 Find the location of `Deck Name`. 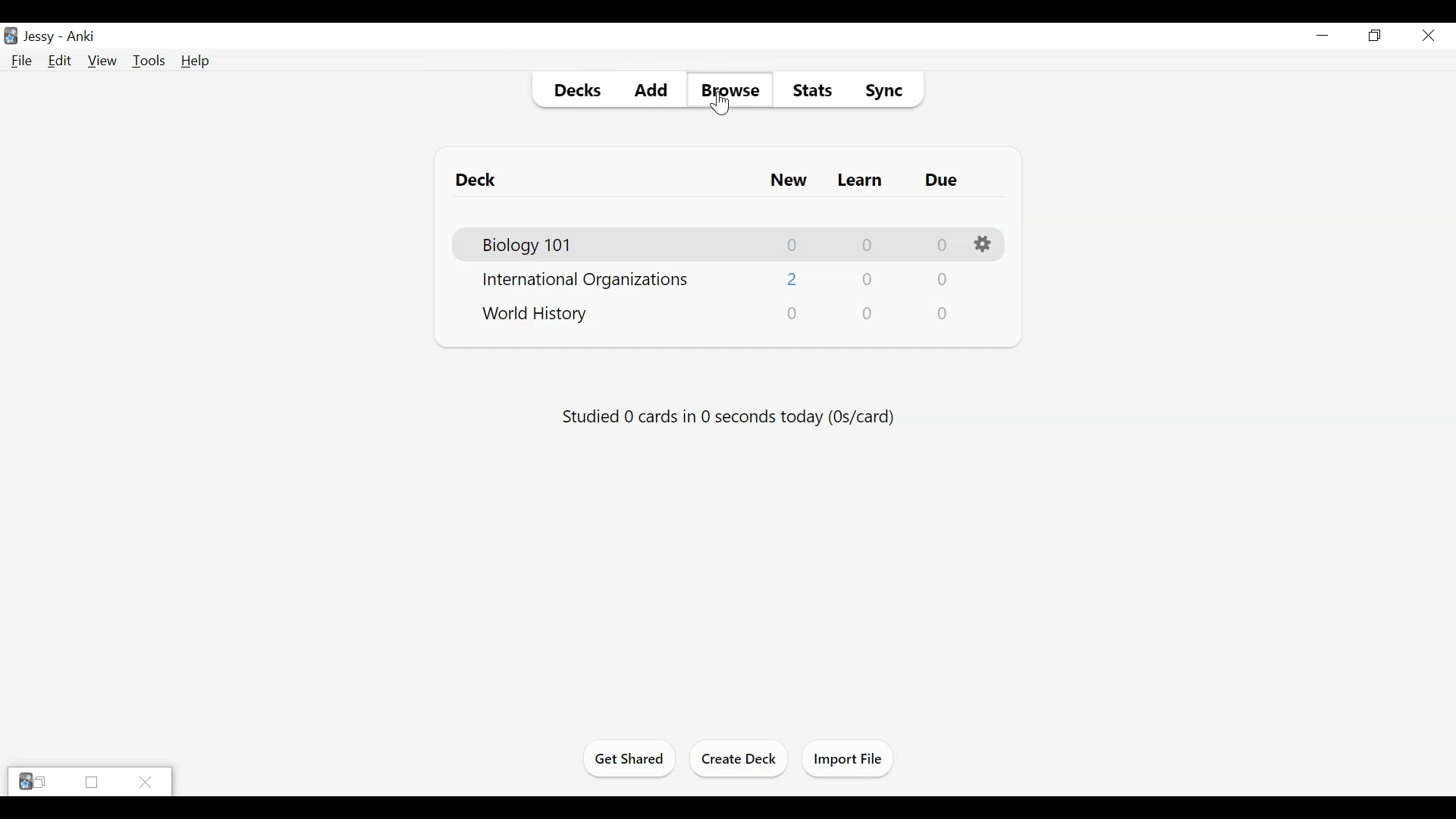

Deck Name is located at coordinates (584, 281).